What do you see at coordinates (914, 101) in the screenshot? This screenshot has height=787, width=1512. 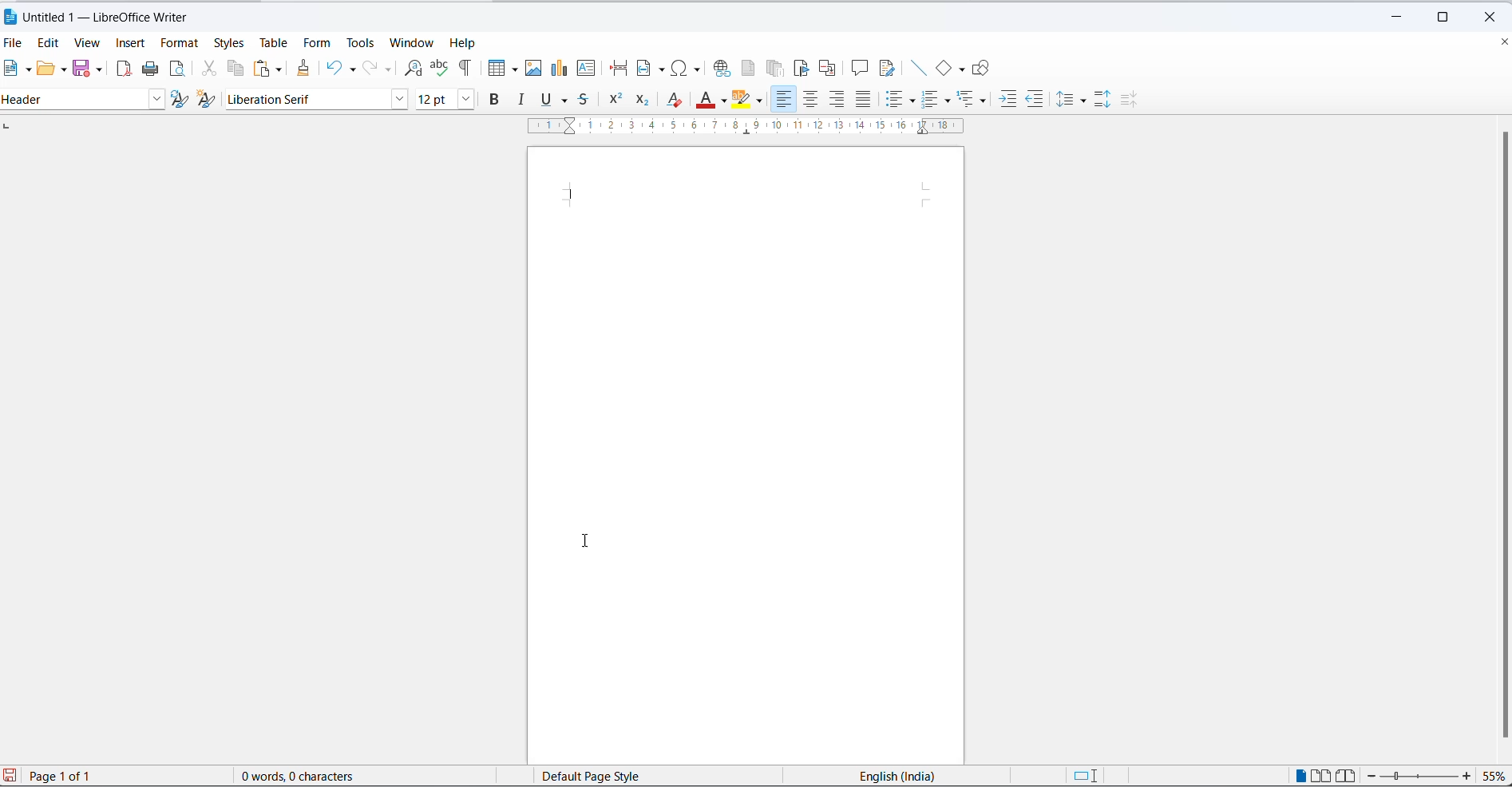 I see `toggle unordered list options` at bounding box center [914, 101].